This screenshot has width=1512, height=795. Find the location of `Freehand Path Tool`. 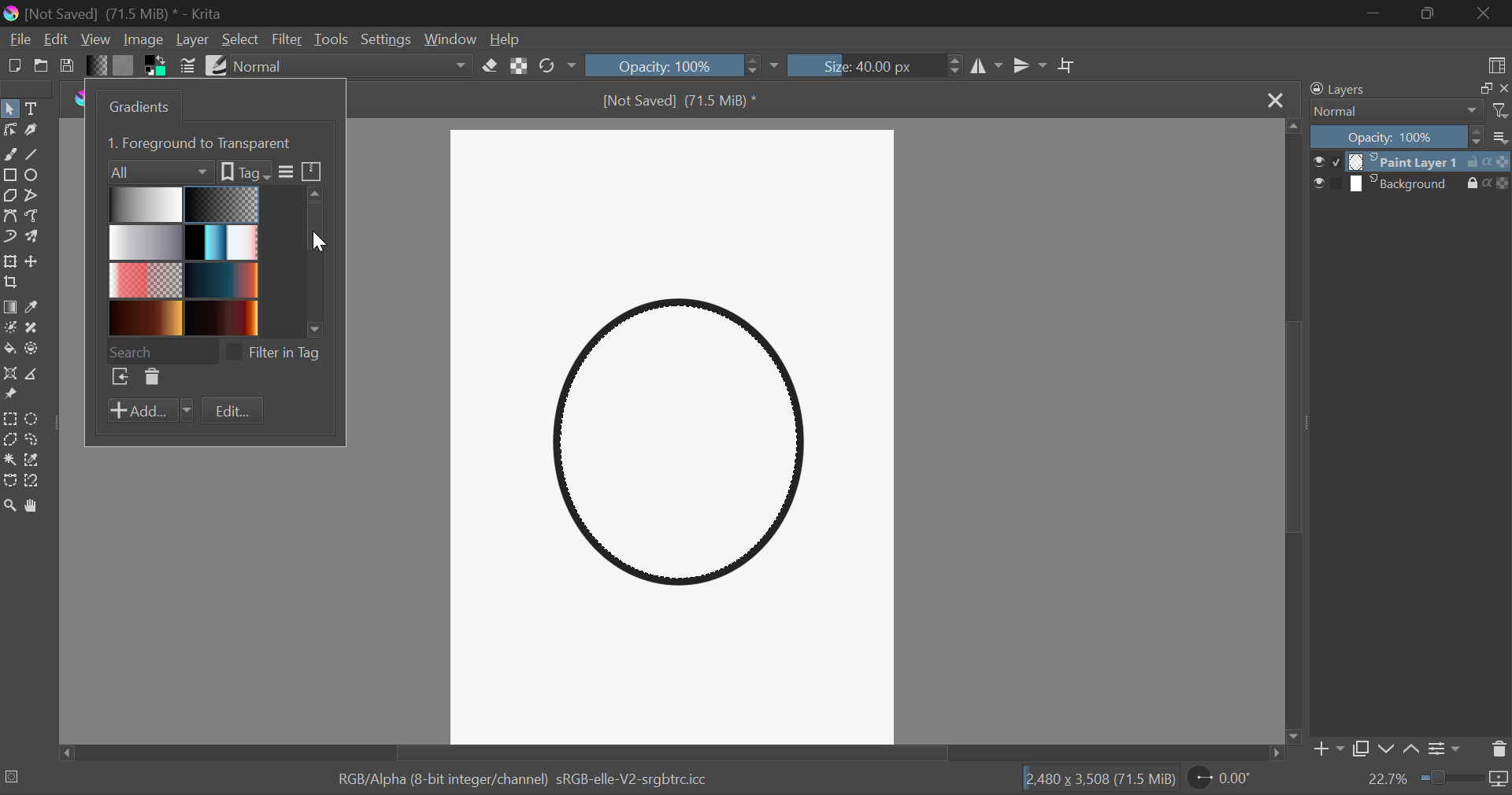

Freehand Path Tool is located at coordinates (35, 217).